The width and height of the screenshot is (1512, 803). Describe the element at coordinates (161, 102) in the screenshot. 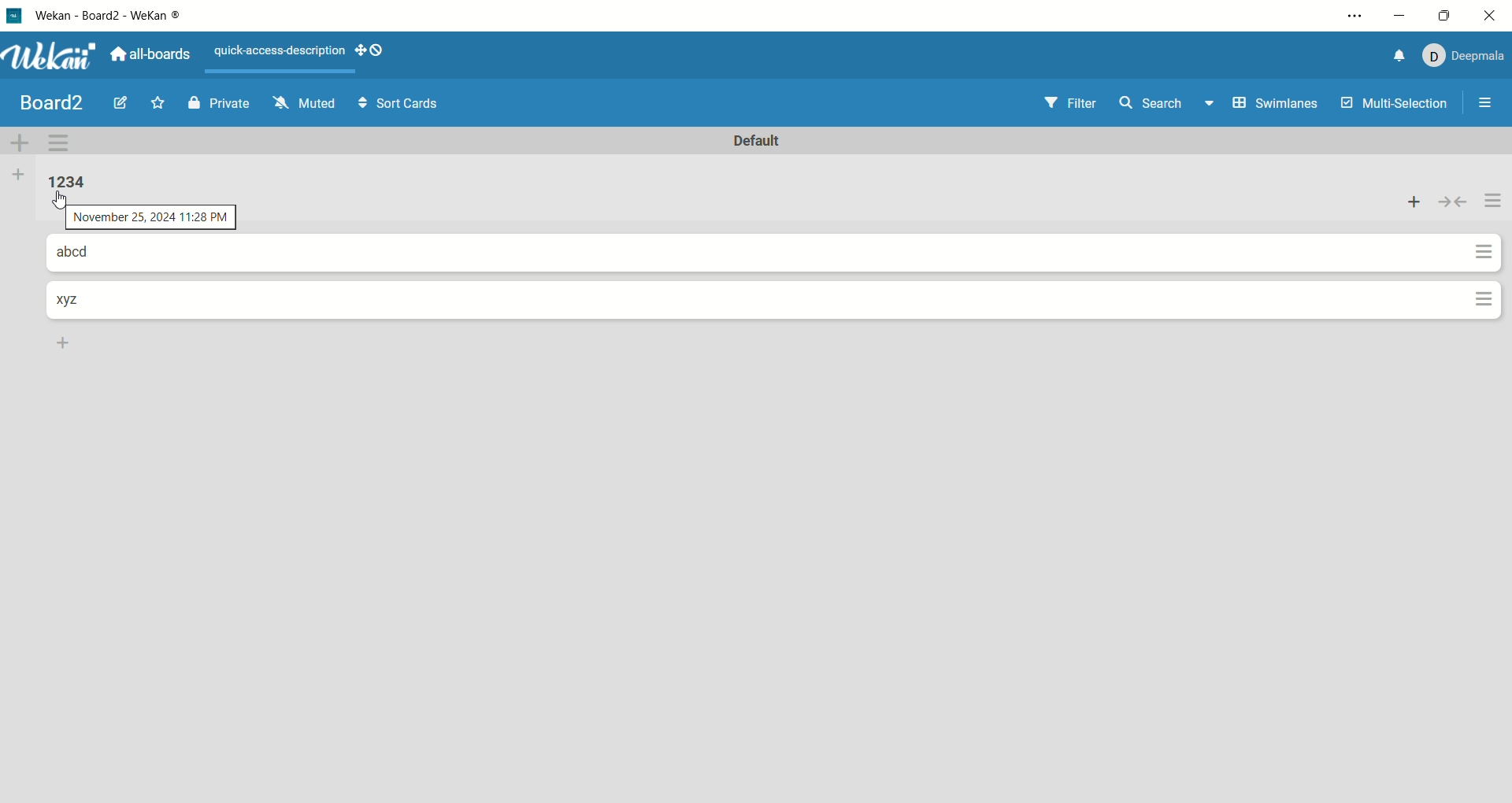

I see `favorite` at that location.